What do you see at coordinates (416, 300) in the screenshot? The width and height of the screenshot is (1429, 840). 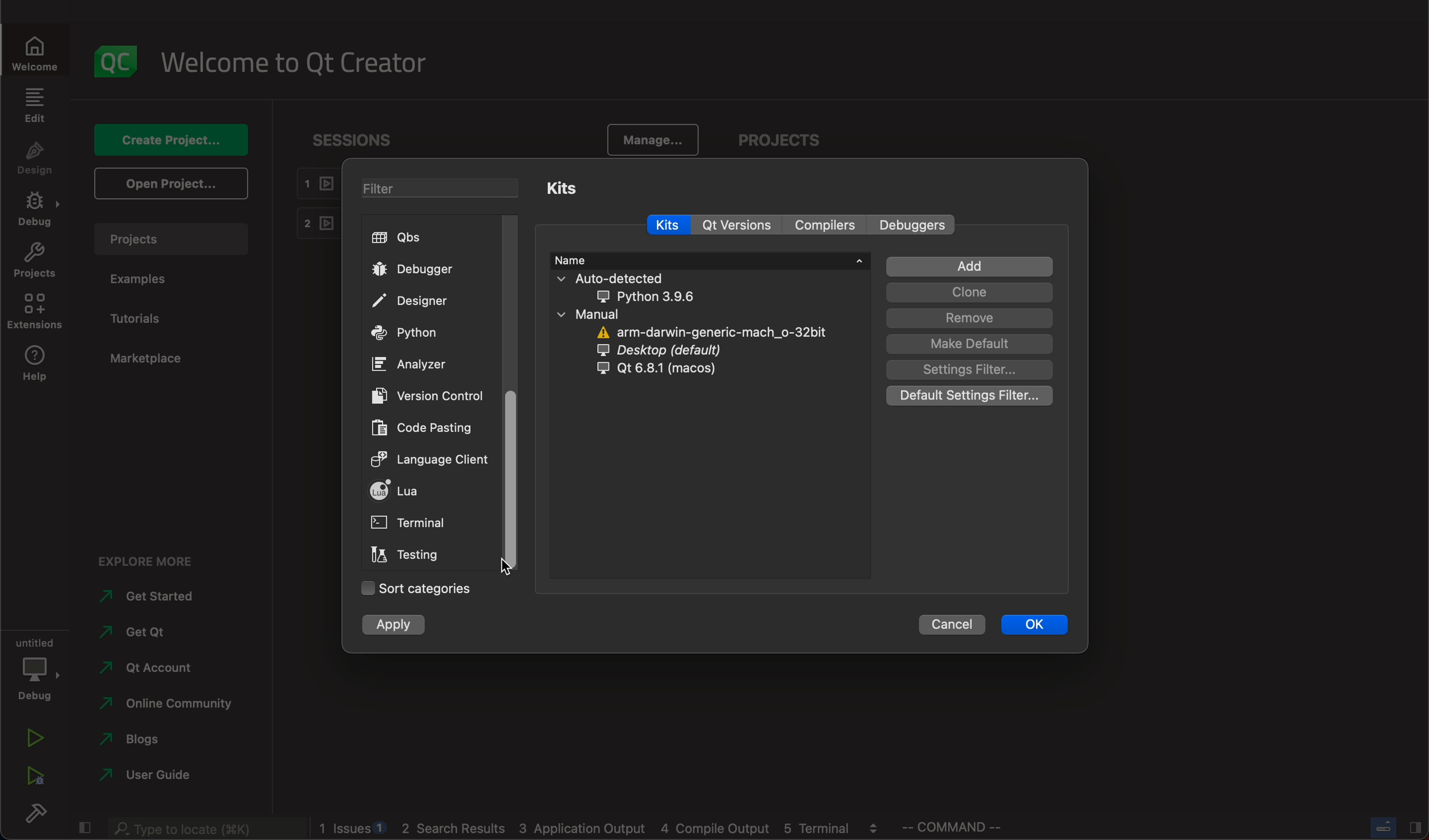 I see `designer` at bounding box center [416, 300].